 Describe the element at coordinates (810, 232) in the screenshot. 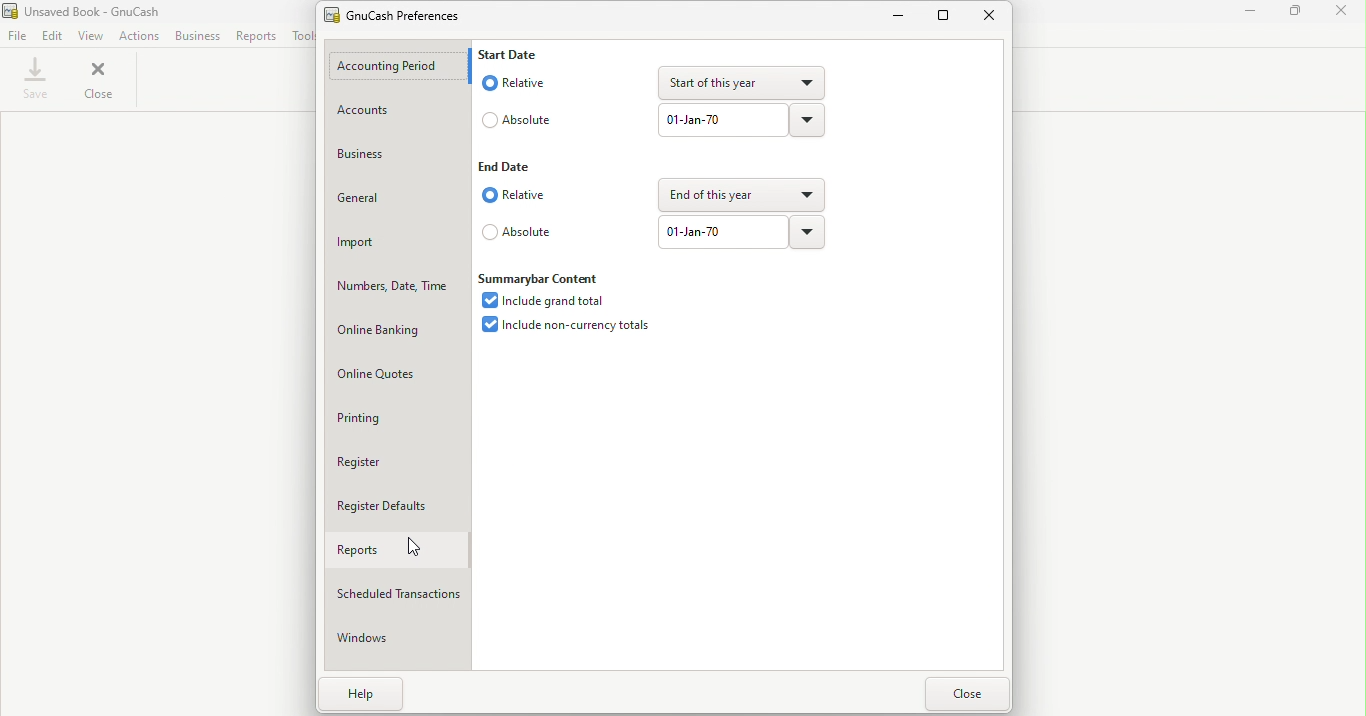

I see `Drop down` at that location.